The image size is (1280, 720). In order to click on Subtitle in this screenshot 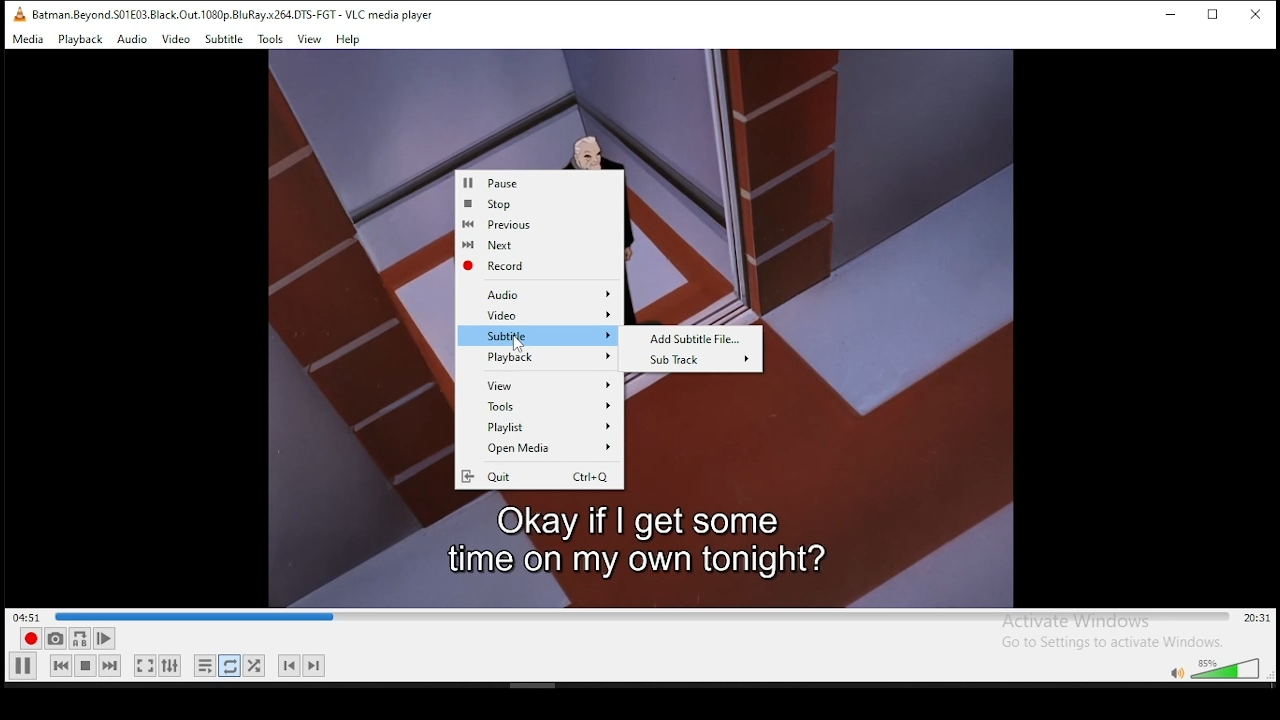, I will do `click(543, 335)`.